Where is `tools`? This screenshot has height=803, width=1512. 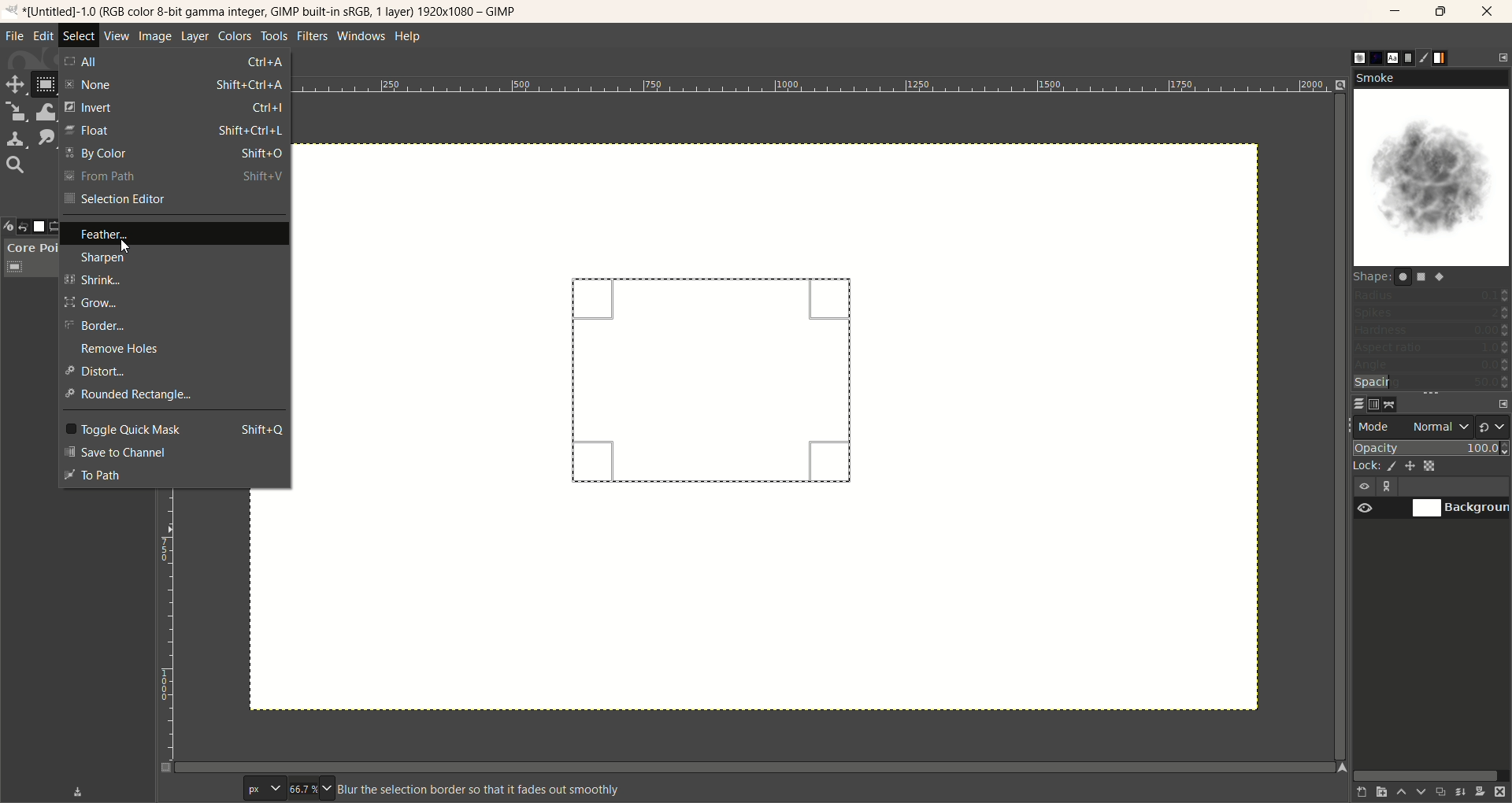 tools is located at coordinates (274, 35).